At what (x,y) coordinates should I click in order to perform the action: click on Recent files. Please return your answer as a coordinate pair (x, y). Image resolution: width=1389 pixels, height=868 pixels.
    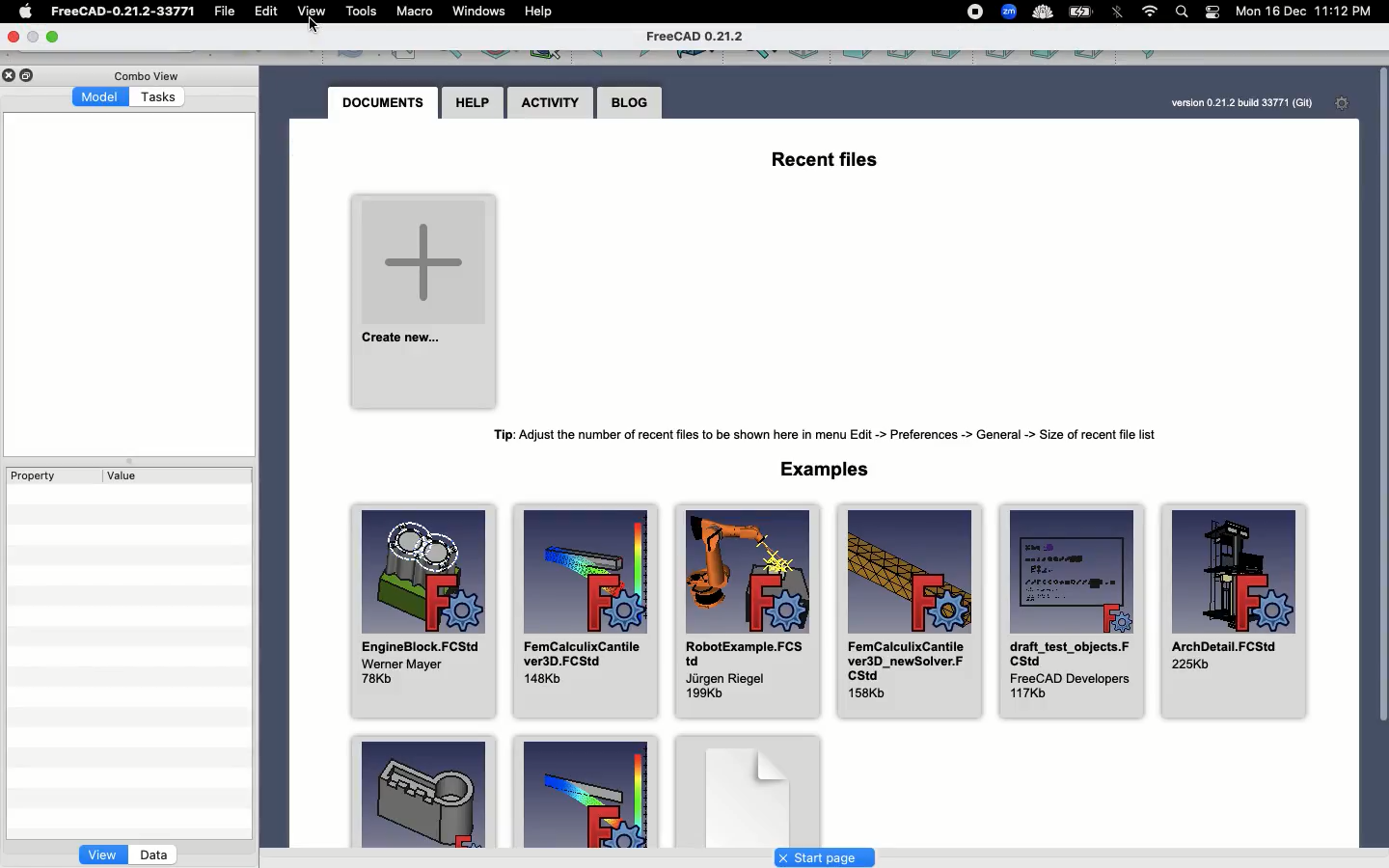
    Looking at the image, I should click on (824, 164).